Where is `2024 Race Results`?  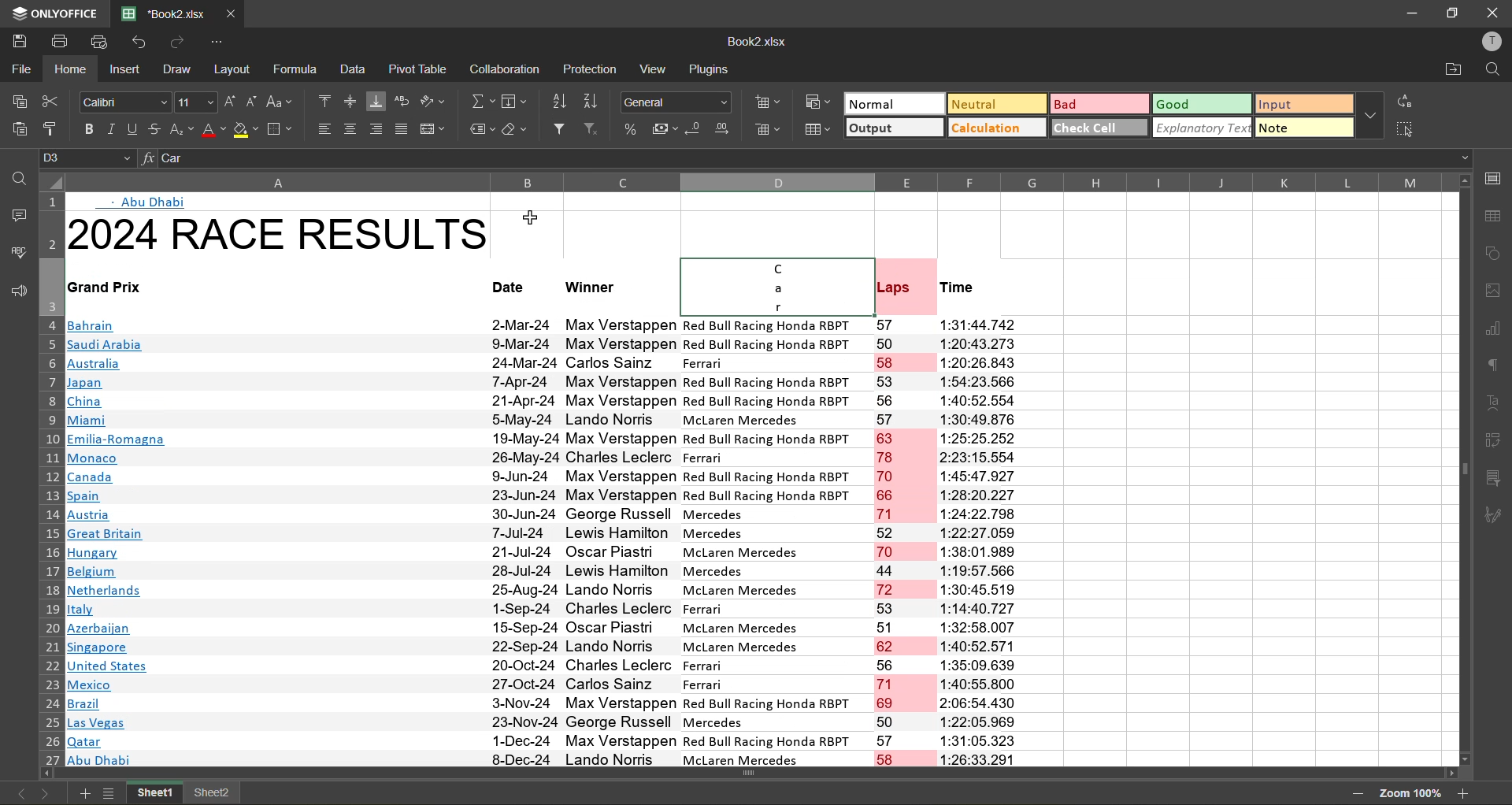
2024 Race Results is located at coordinates (279, 232).